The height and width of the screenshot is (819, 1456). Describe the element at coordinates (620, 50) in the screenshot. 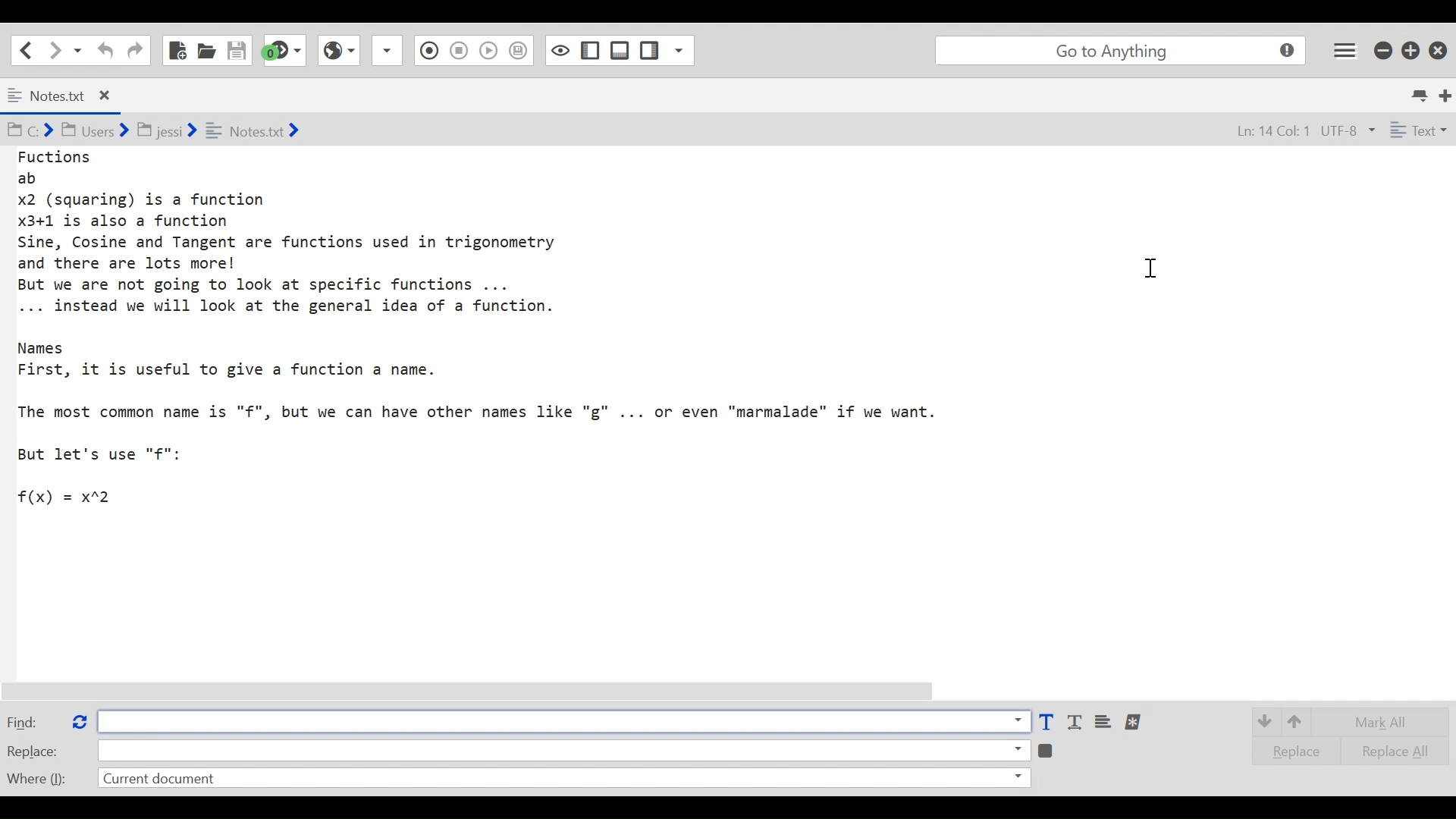

I see `Show/Hide Left Pane` at that location.